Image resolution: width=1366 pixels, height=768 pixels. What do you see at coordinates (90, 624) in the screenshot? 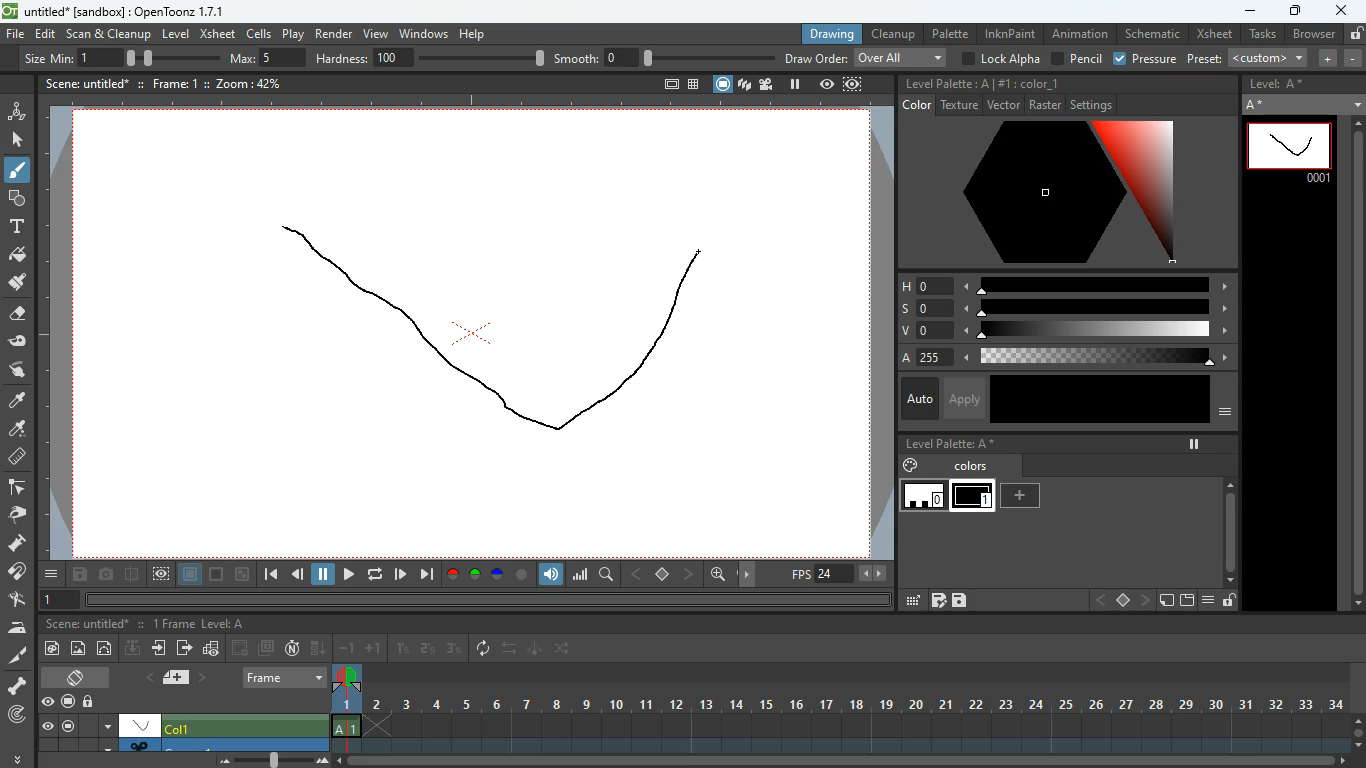
I see `scene title` at bounding box center [90, 624].